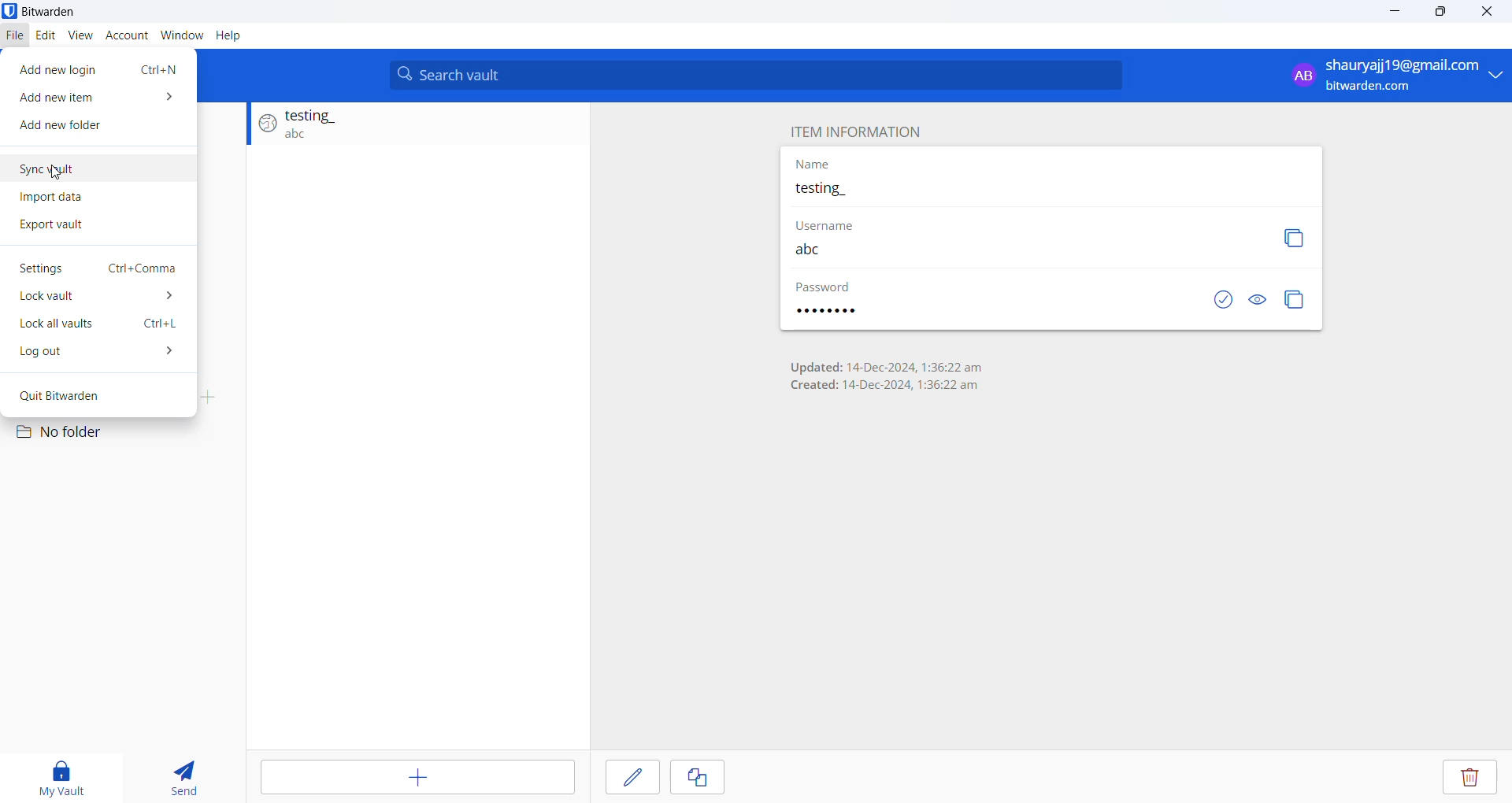 This screenshot has width=1512, height=803. I want to click on Cancel, so click(708, 779).